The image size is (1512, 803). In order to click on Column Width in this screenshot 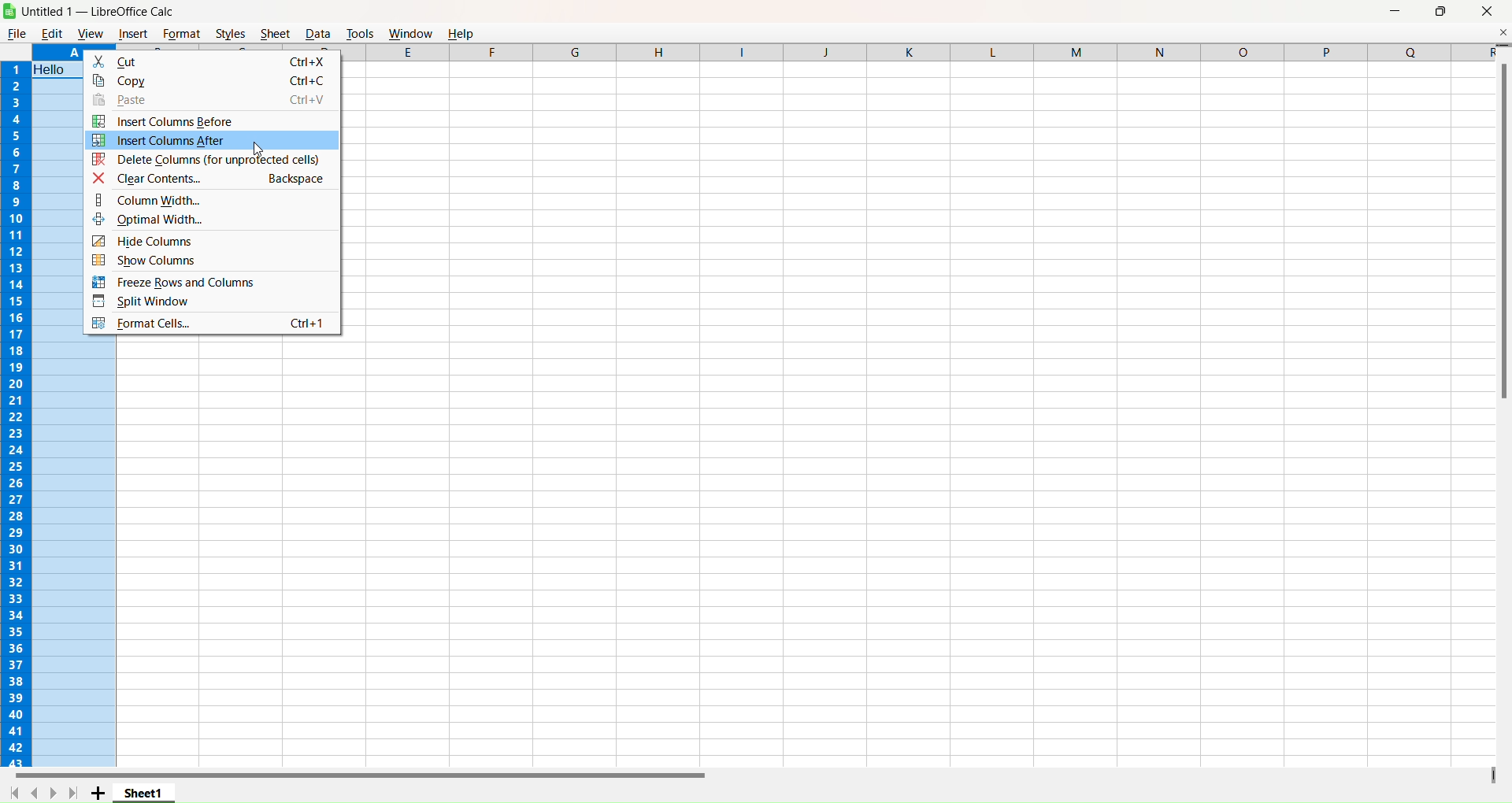, I will do `click(213, 202)`.